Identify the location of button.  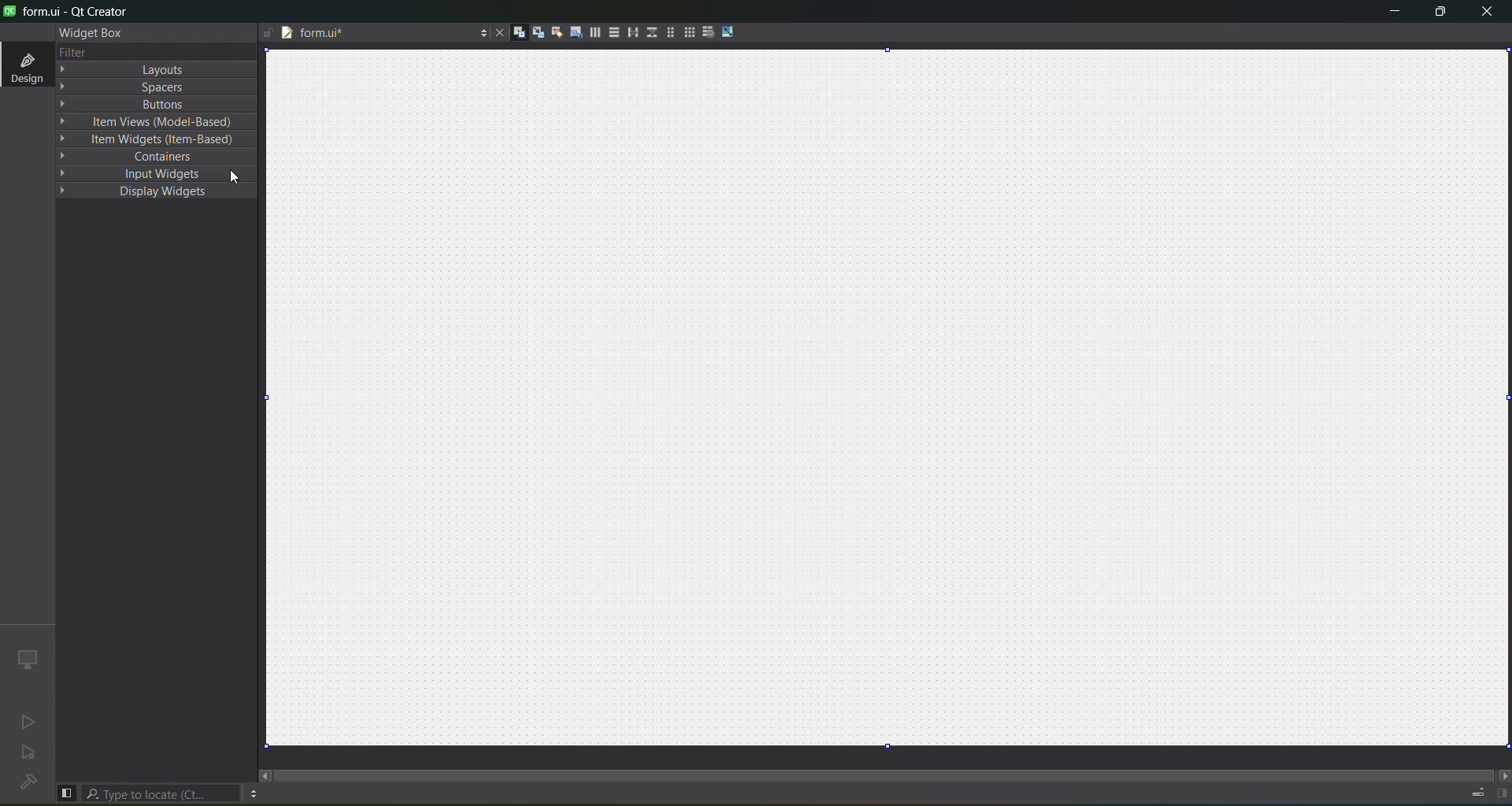
(139, 105).